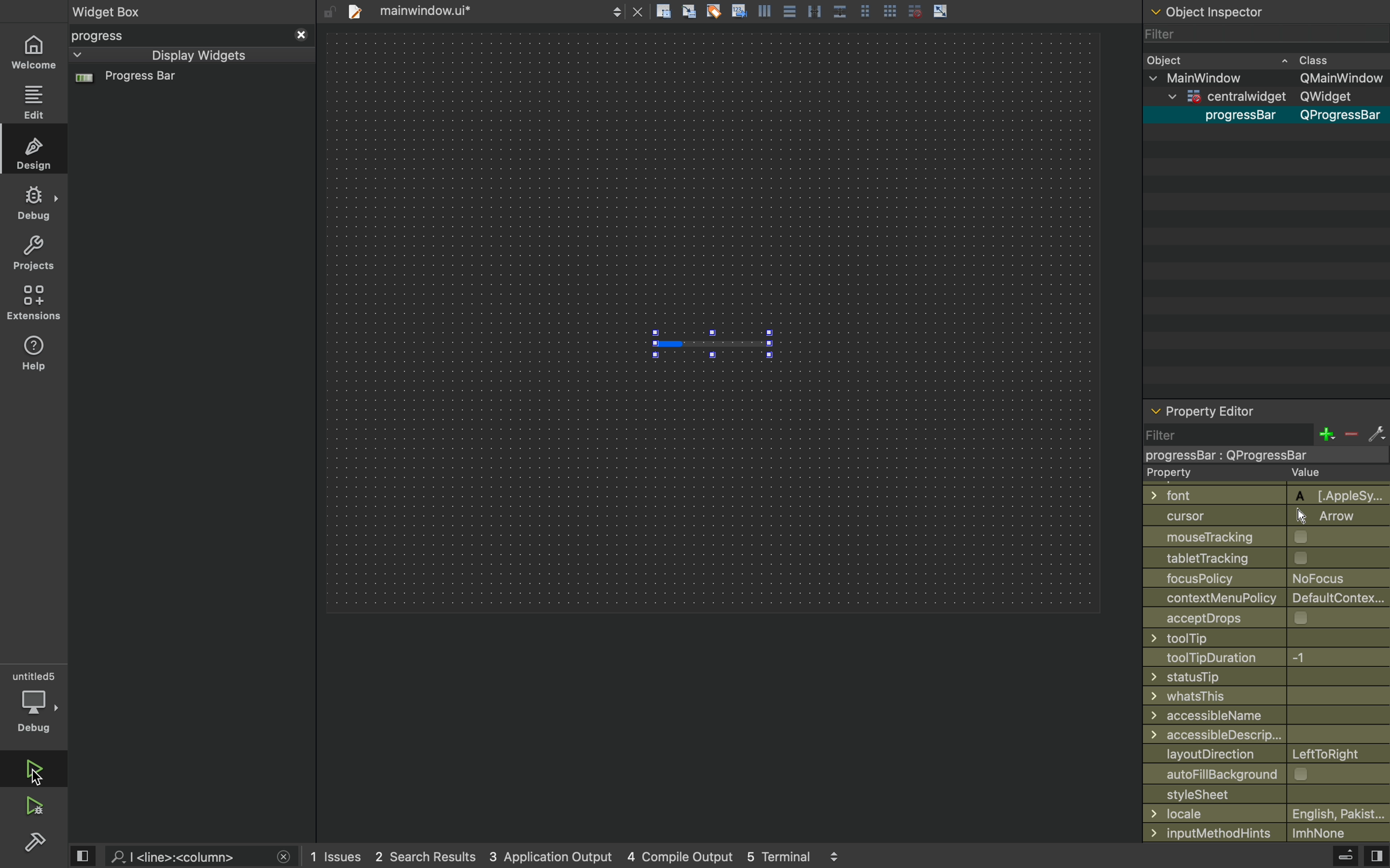 This screenshot has height=868, width=1390. Describe the element at coordinates (176, 55) in the screenshot. I see `display widget` at that location.